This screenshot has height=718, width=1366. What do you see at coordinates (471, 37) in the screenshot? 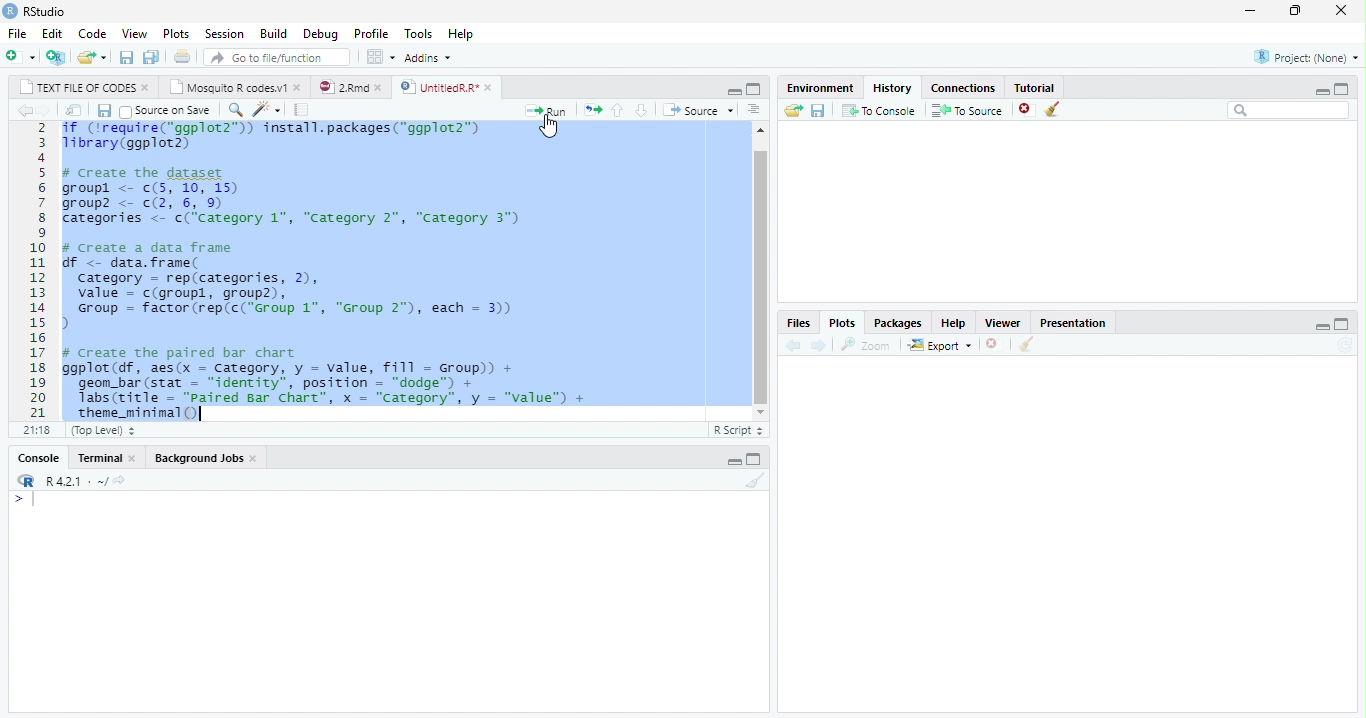
I see `help` at bounding box center [471, 37].